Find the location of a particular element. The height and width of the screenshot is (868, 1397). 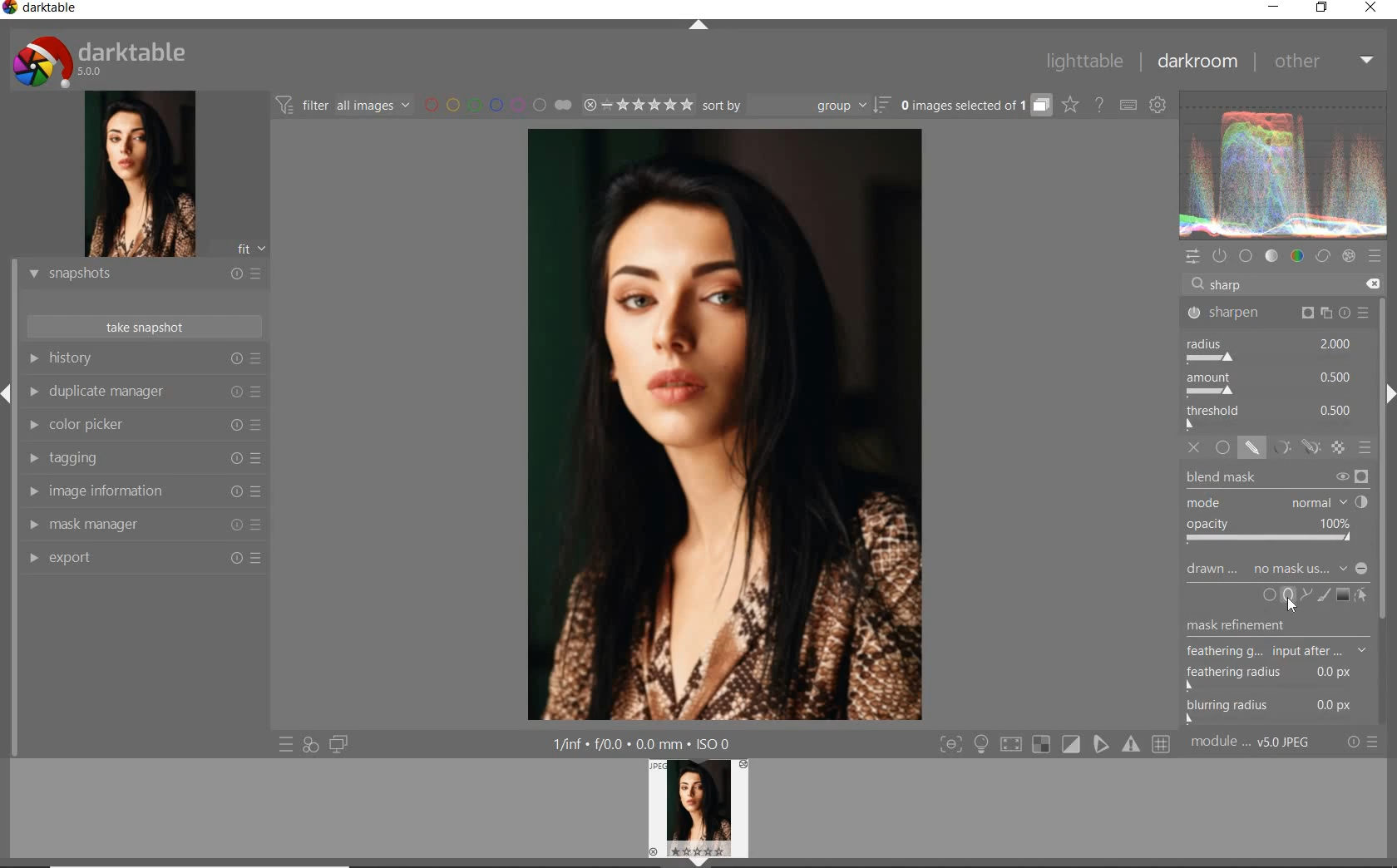

add circle or ellipse is located at coordinates (1279, 594).